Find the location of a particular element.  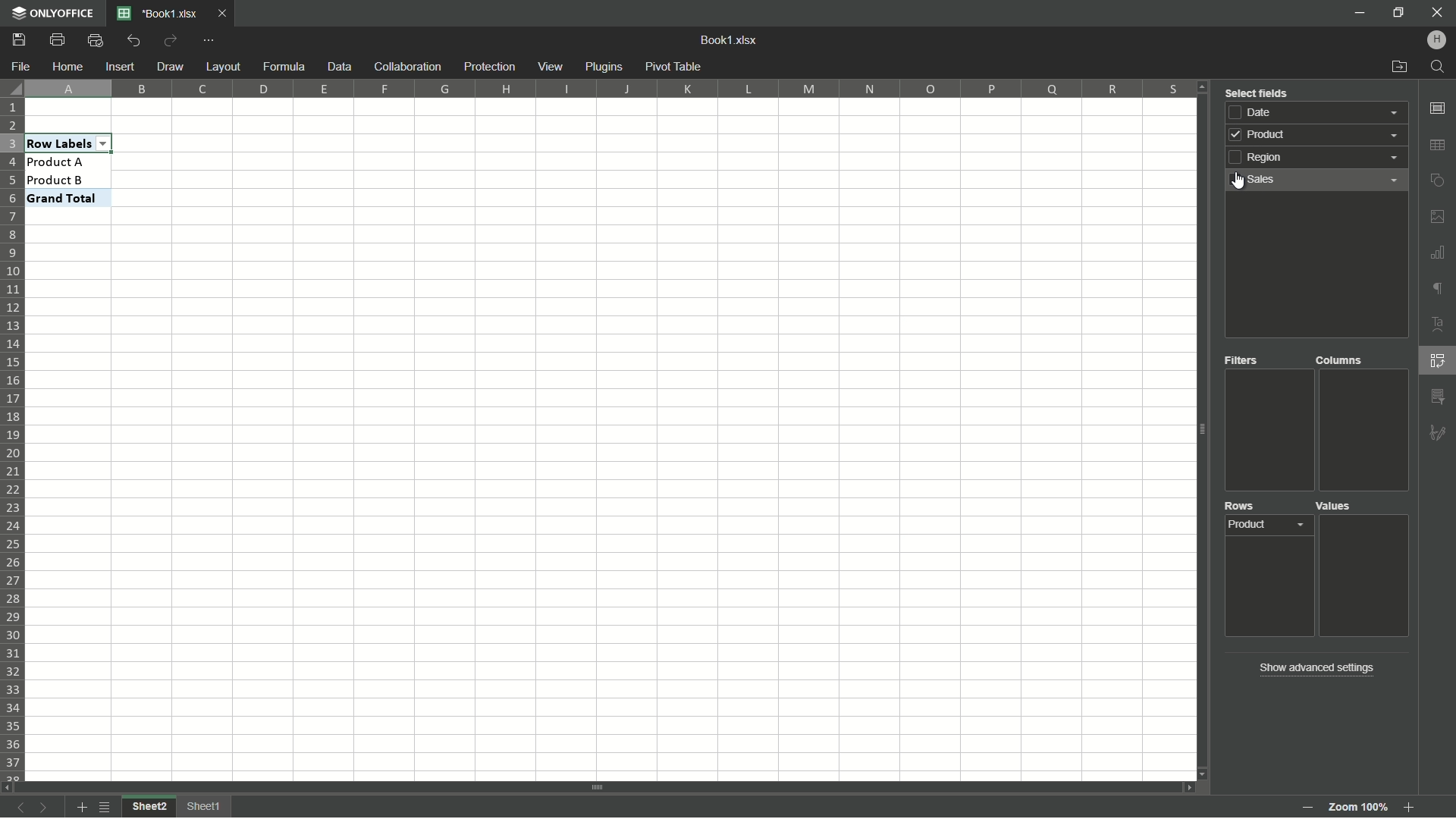

Undo is located at coordinates (135, 40).